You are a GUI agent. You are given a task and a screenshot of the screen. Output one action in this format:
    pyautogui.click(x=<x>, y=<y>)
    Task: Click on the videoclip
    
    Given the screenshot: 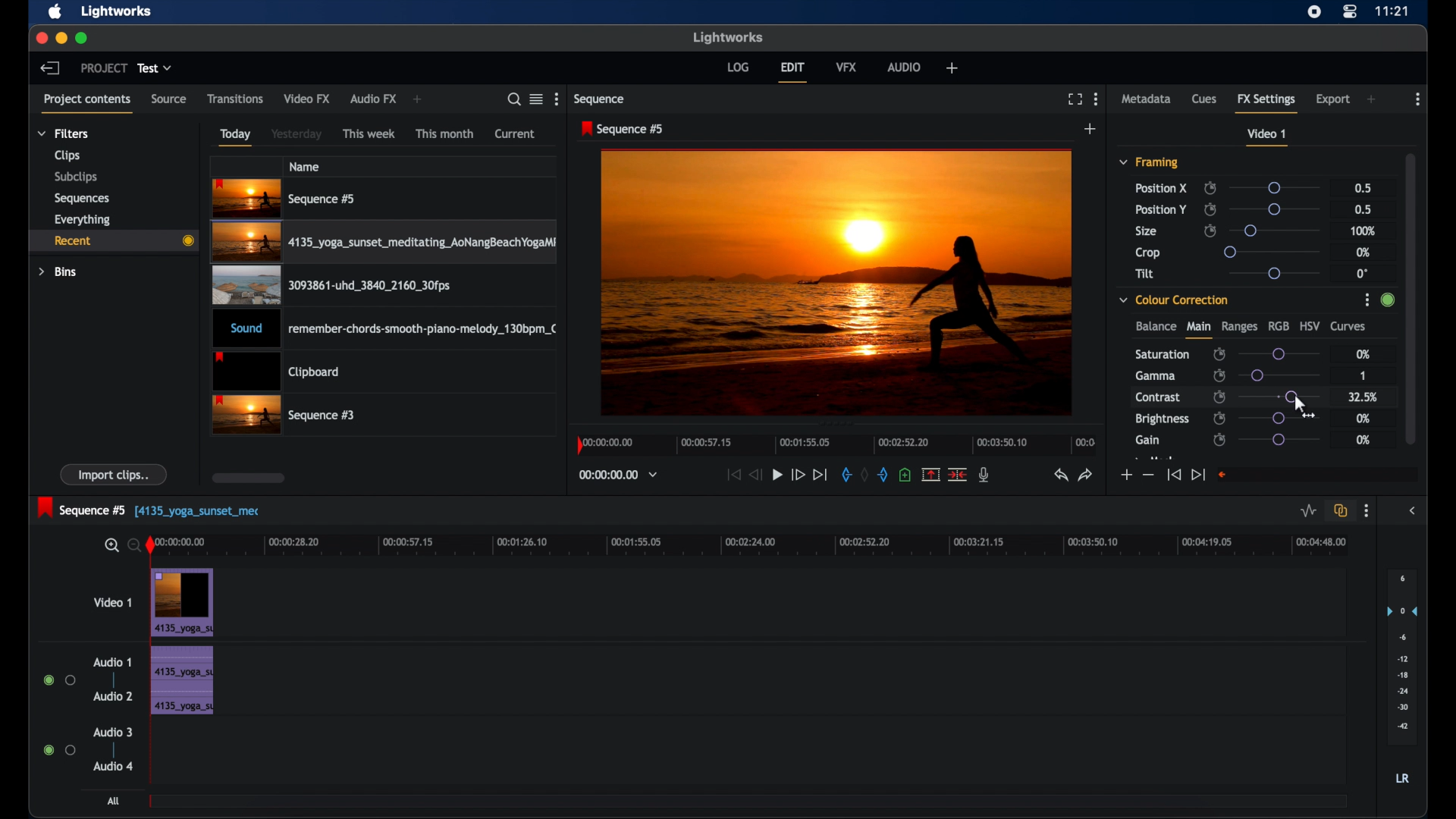 What is the action you would take?
    pyautogui.click(x=285, y=199)
    